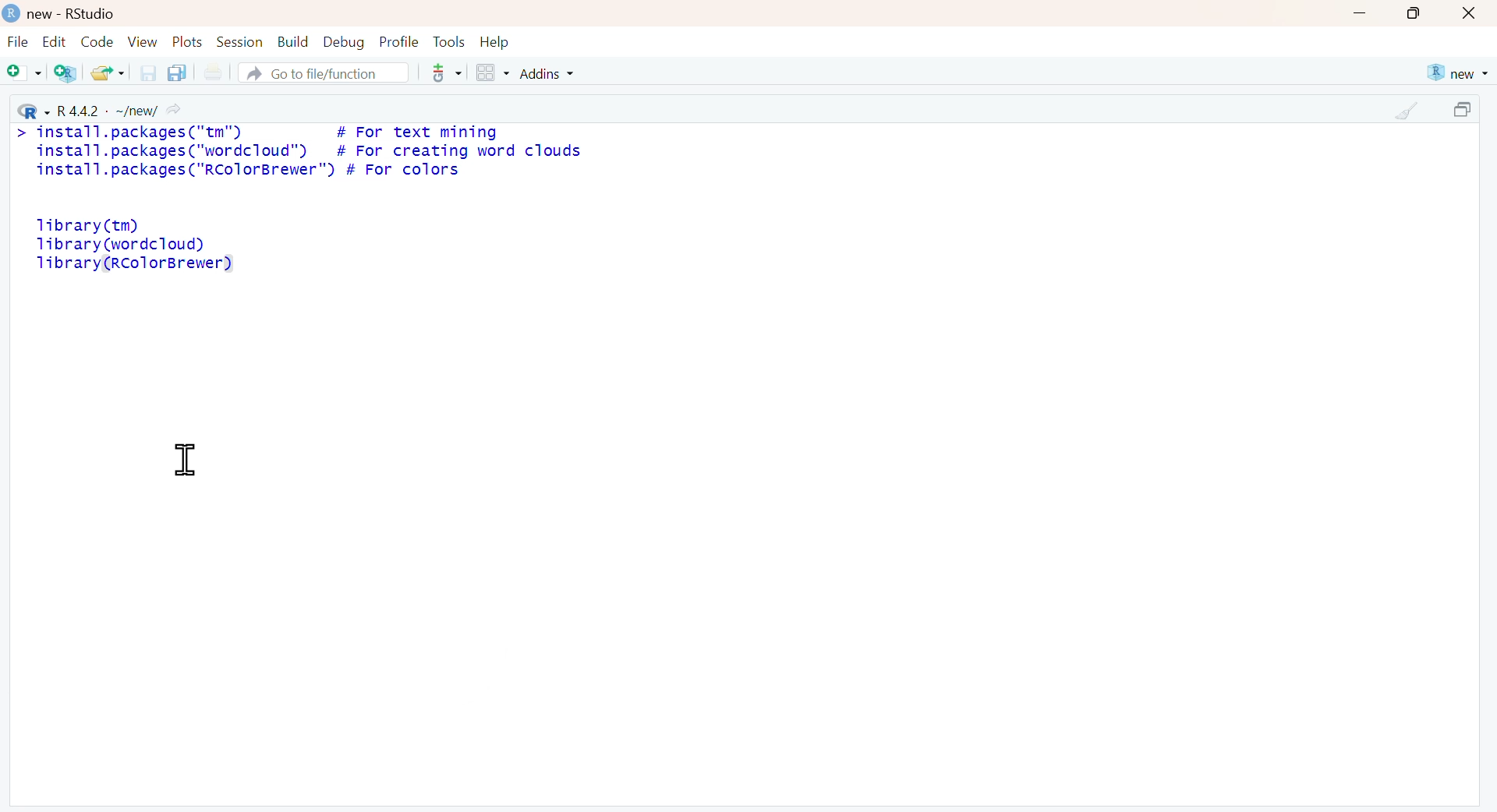 The width and height of the screenshot is (1497, 812). Describe the element at coordinates (75, 14) in the screenshot. I see `new - RStudio` at that location.